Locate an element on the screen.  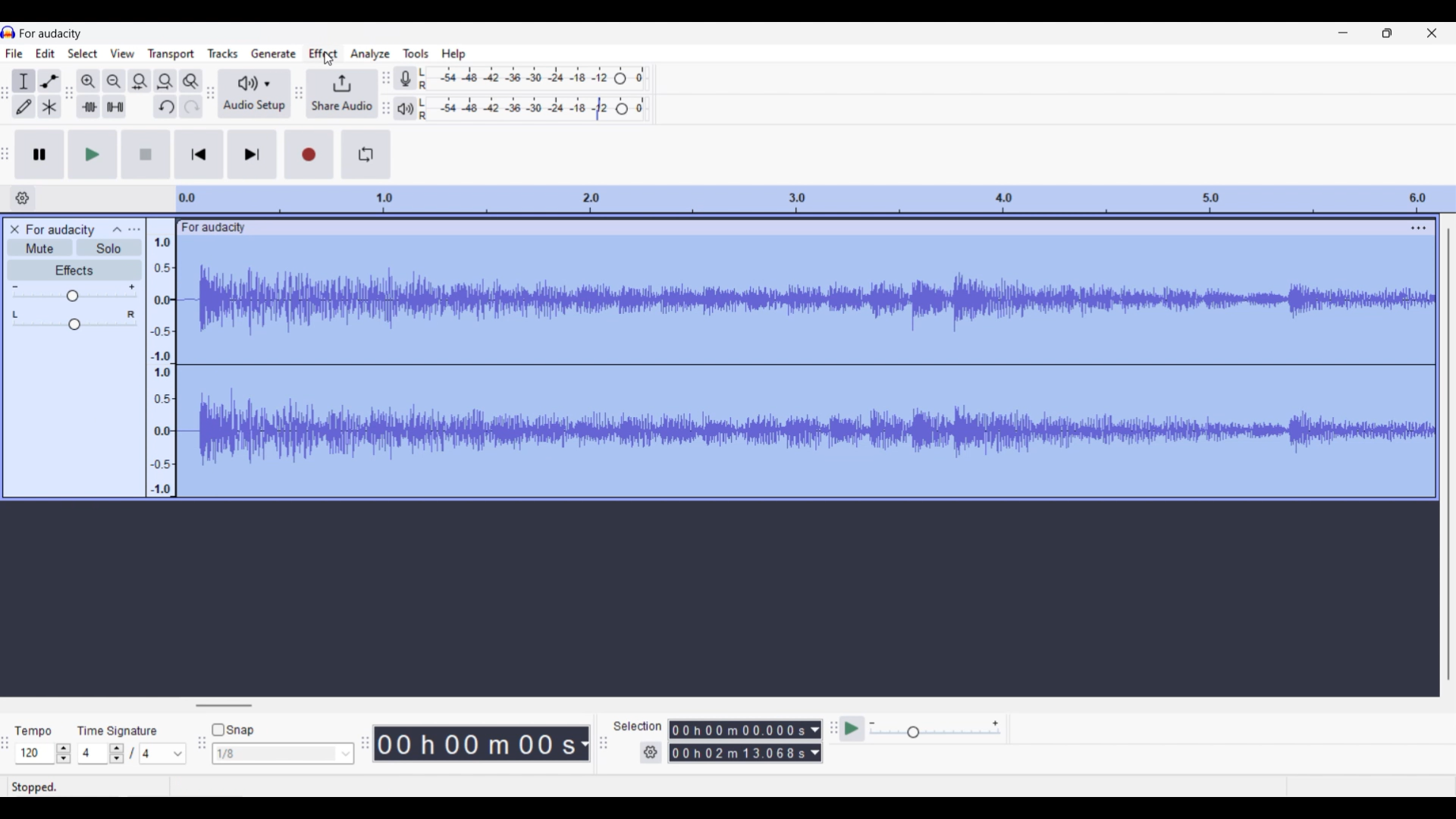
00 h 00 m 00.000s is located at coordinates (736, 742).